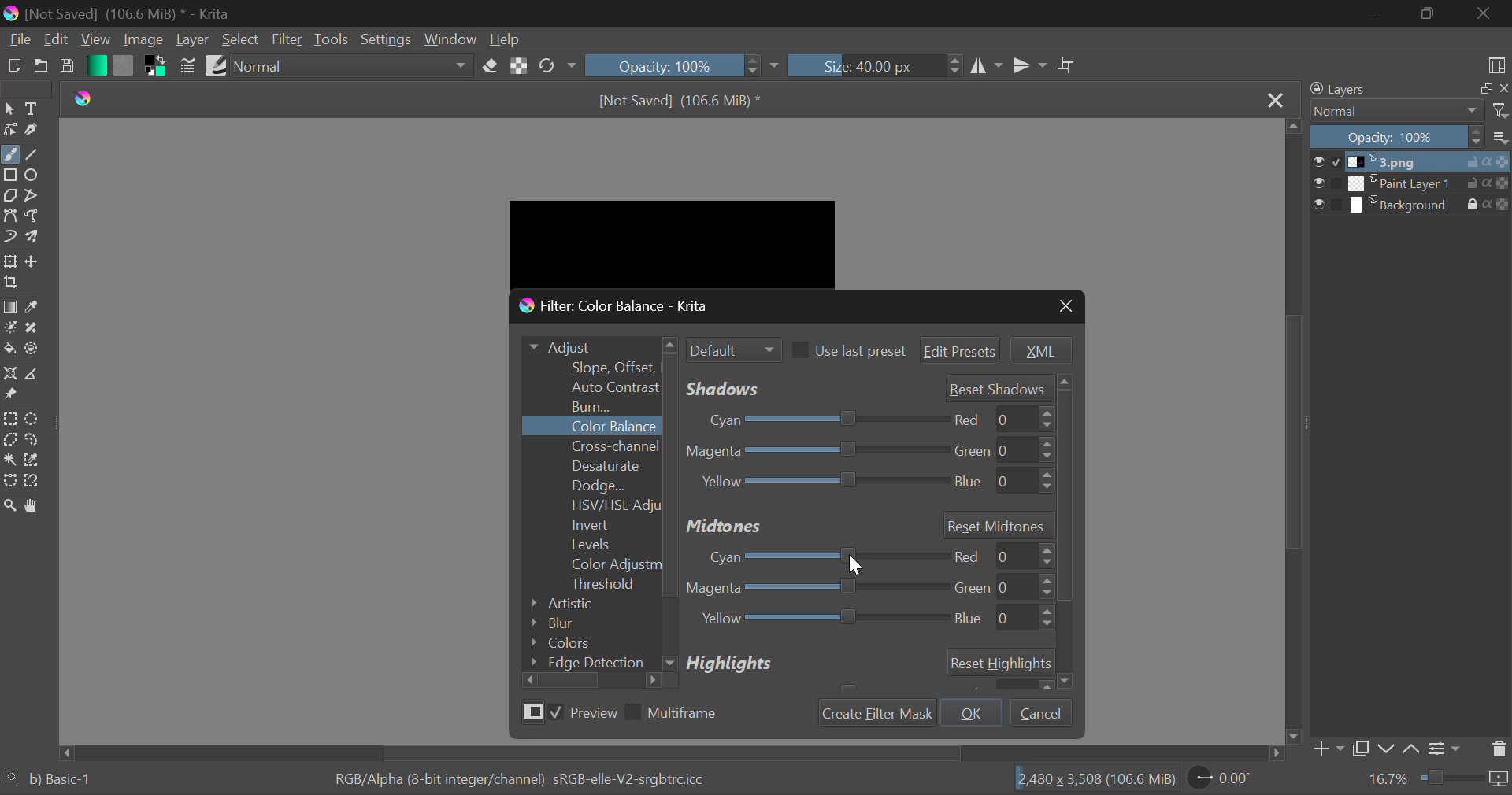 The height and width of the screenshot is (795, 1512). I want to click on Layers, so click(1386, 91).